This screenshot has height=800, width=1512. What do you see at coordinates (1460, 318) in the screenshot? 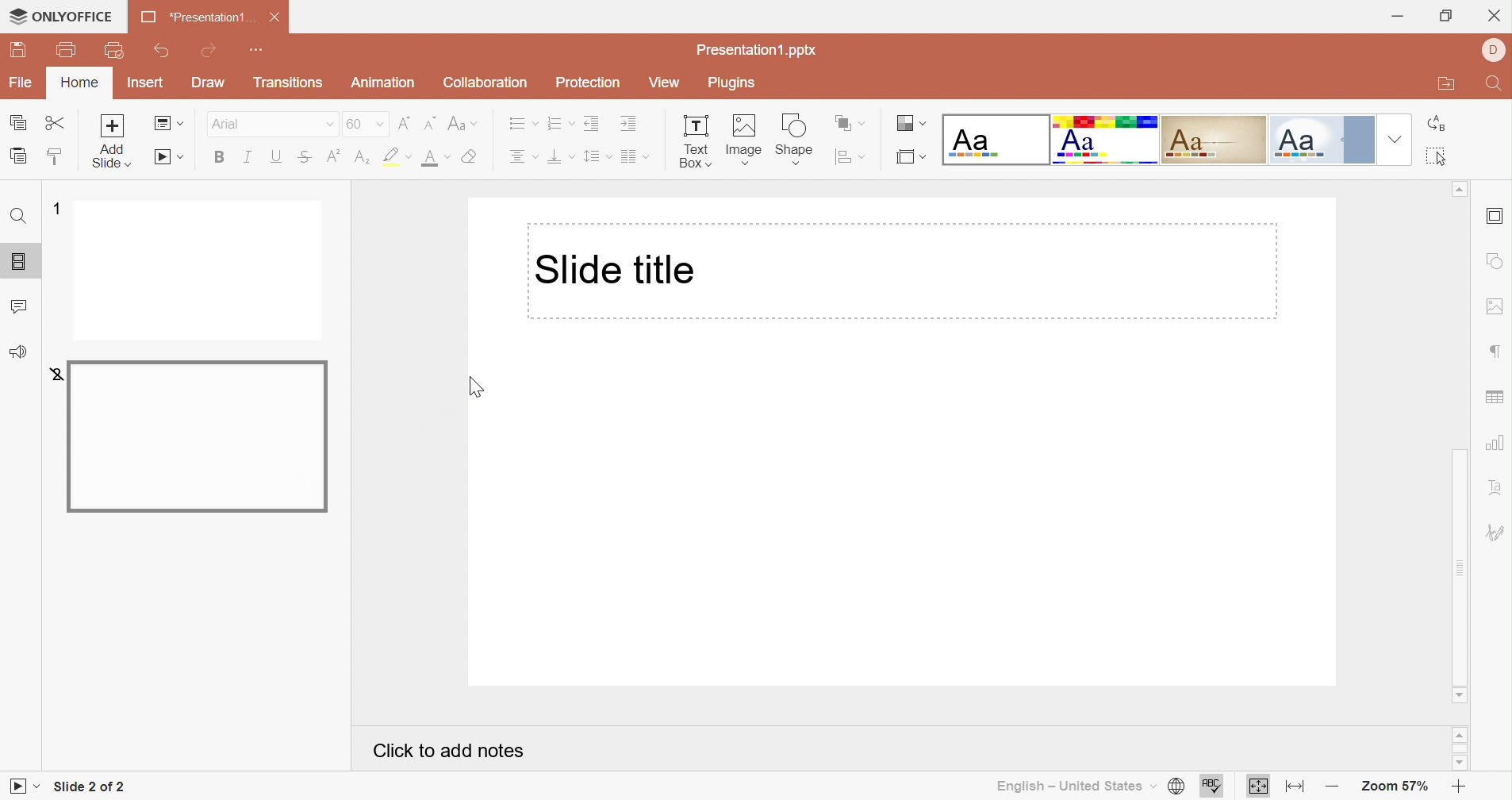
I see `Scroll Bar` at bounding box center [1460, 318].